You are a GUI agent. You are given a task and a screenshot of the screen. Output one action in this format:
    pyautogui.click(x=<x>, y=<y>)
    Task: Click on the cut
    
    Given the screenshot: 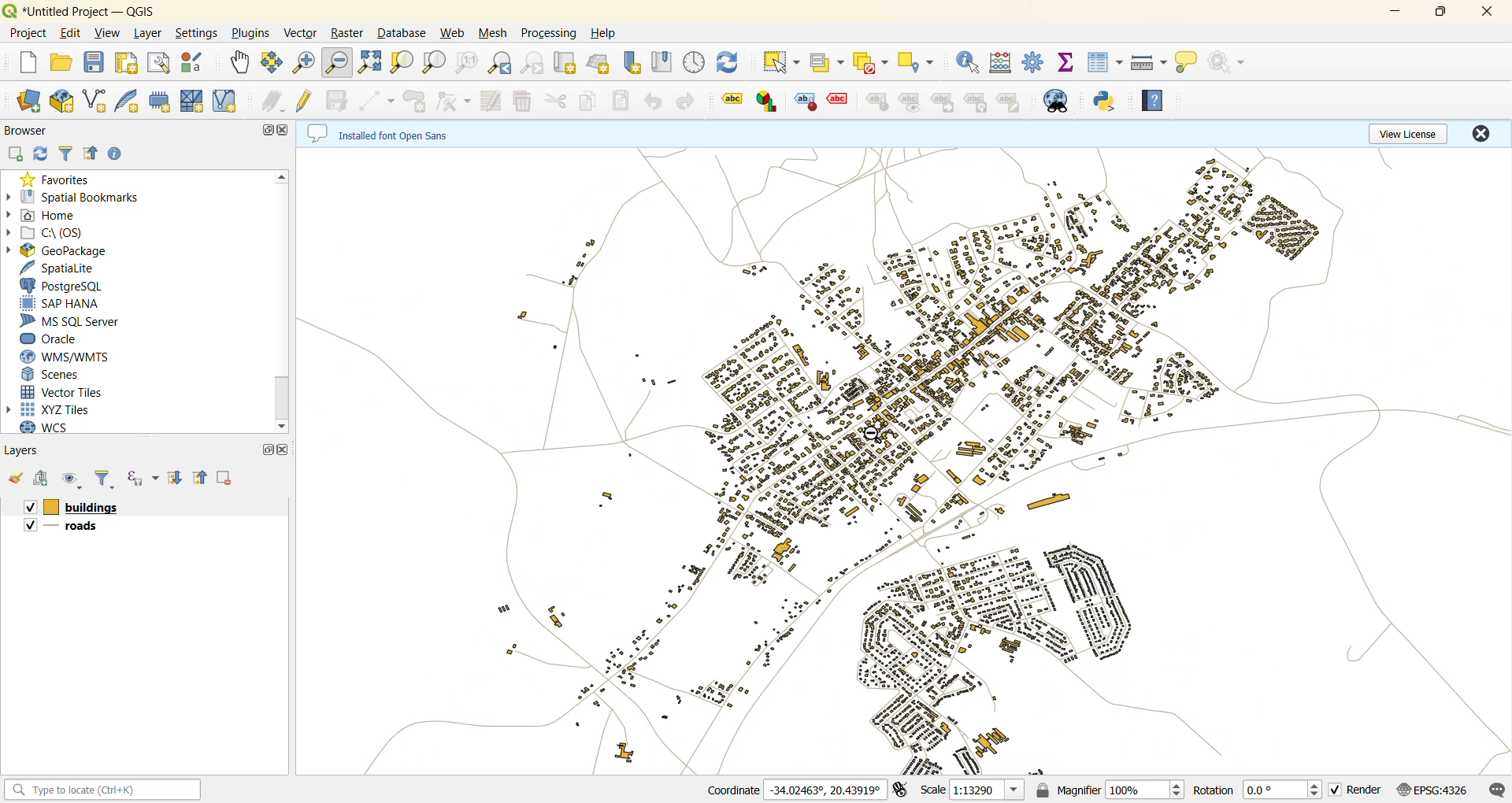 What is the action you would take?
    pyautogui.click(x=554, y=101)
    